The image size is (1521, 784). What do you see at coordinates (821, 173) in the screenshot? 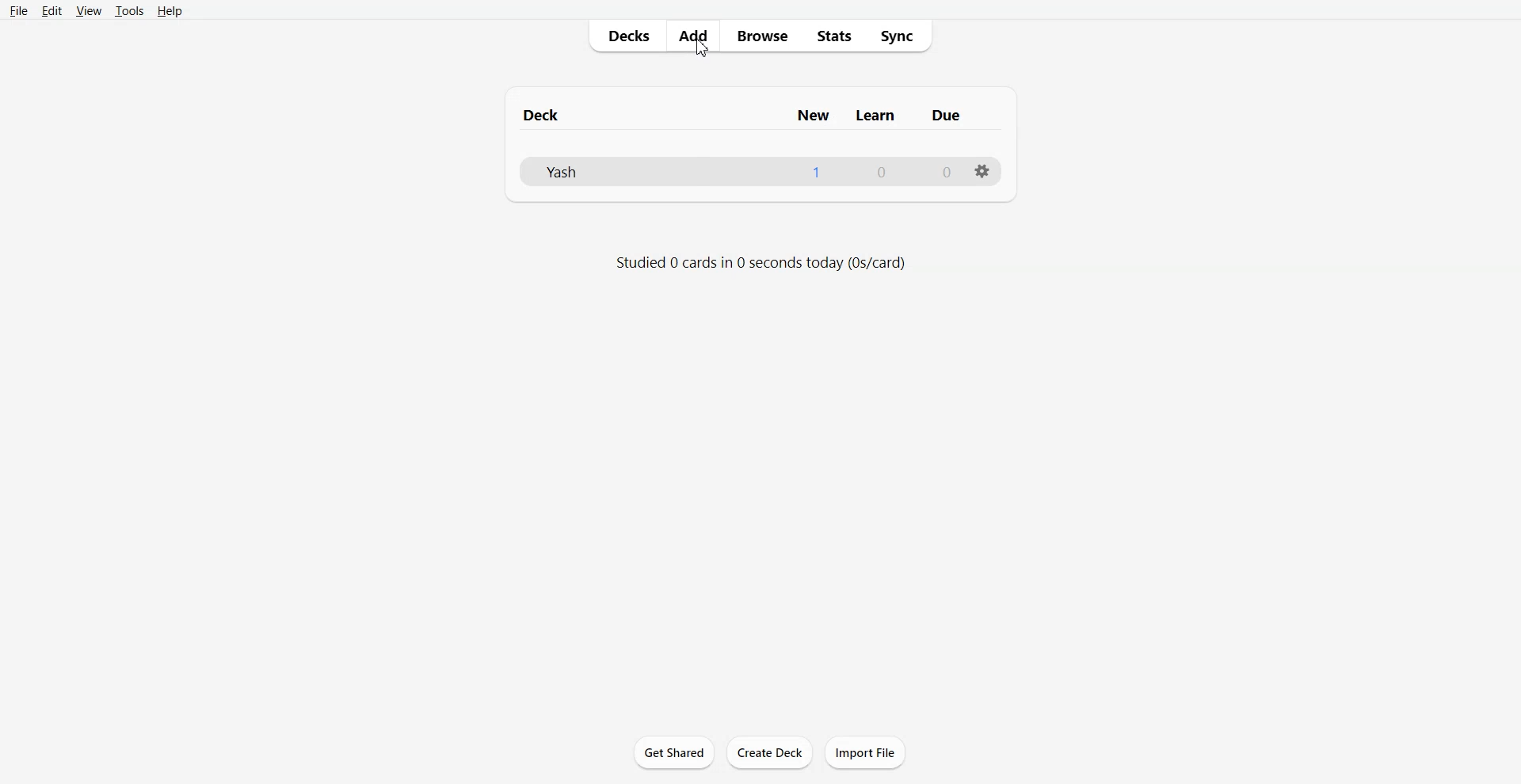
I see `1` at bounding box center [821, 173].